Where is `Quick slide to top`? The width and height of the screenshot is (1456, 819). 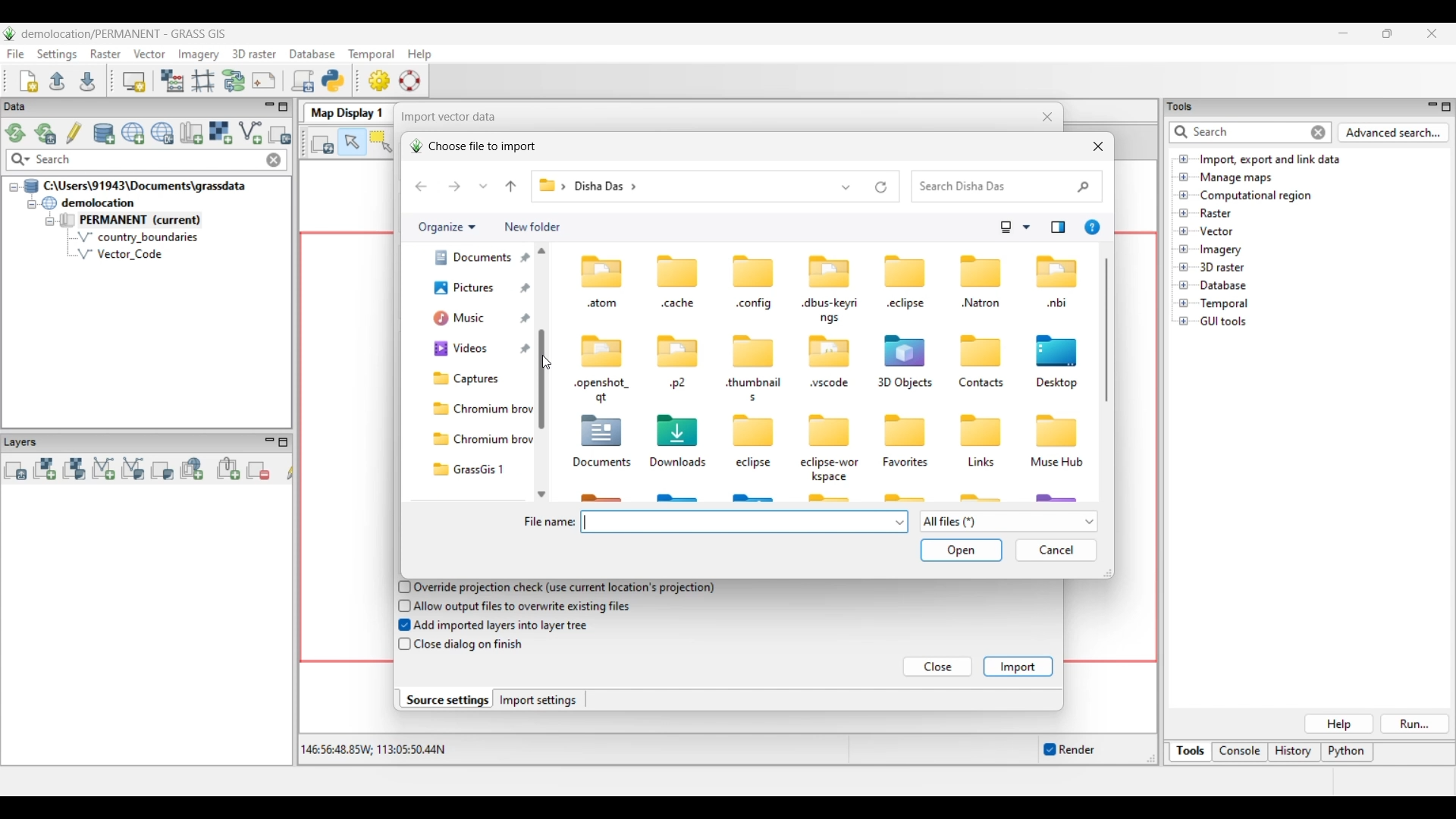
Quick slide to top is located at coordinates (541, 250).